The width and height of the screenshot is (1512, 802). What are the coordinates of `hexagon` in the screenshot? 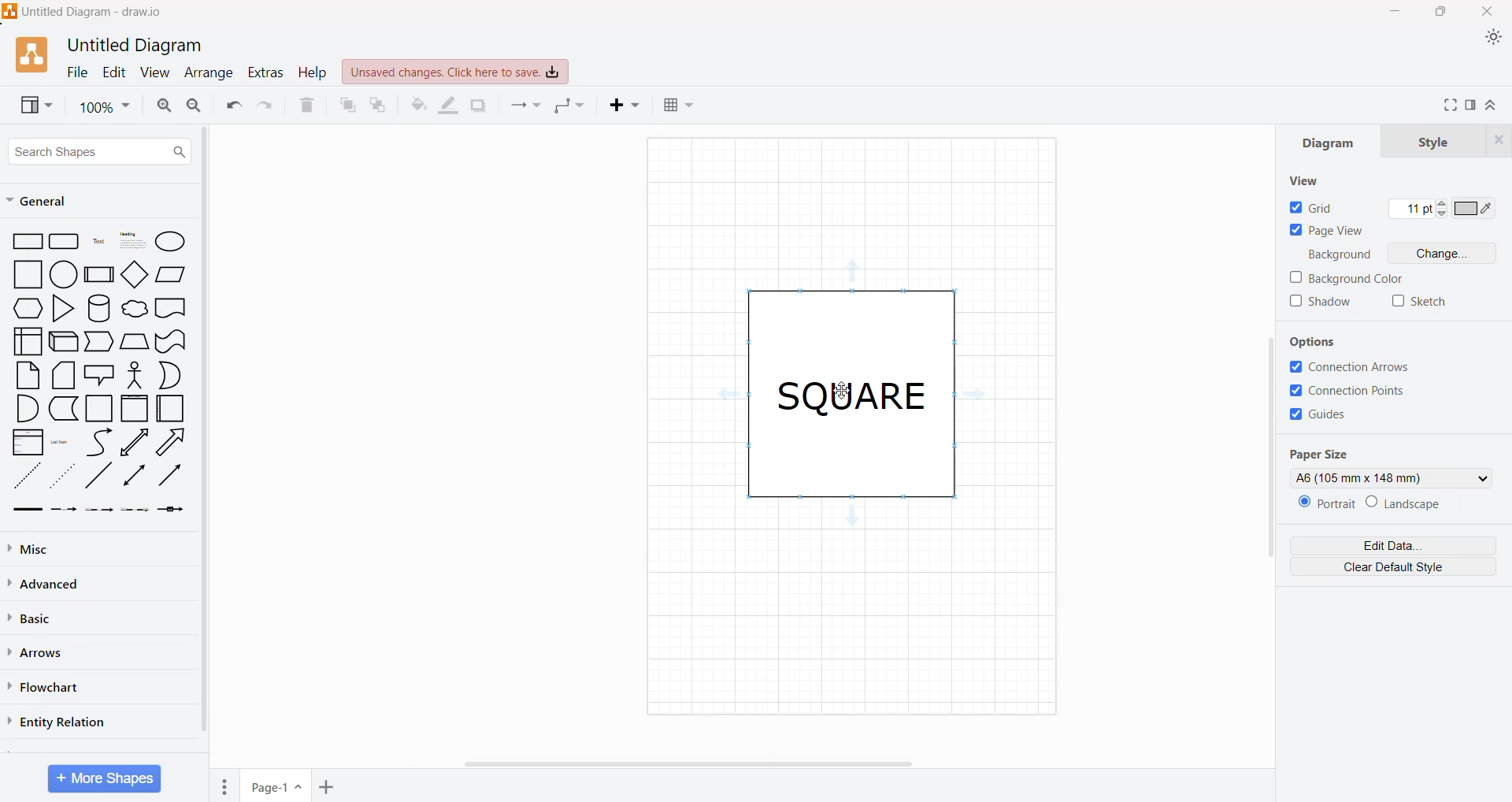 It's located at (27, 308).